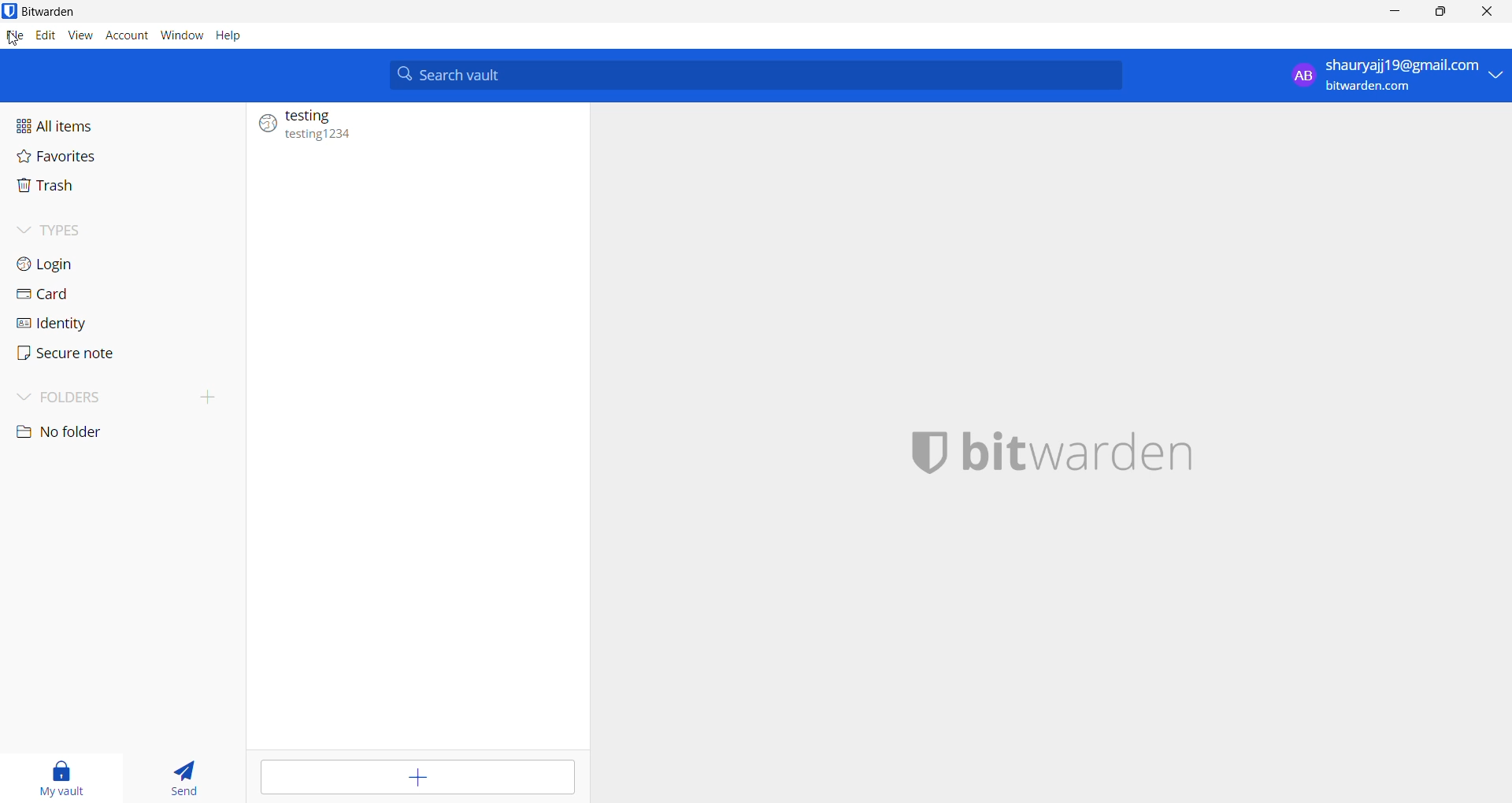 This screenshot has height=803, width=1512. I want to click on secure note, so click(92, 355).